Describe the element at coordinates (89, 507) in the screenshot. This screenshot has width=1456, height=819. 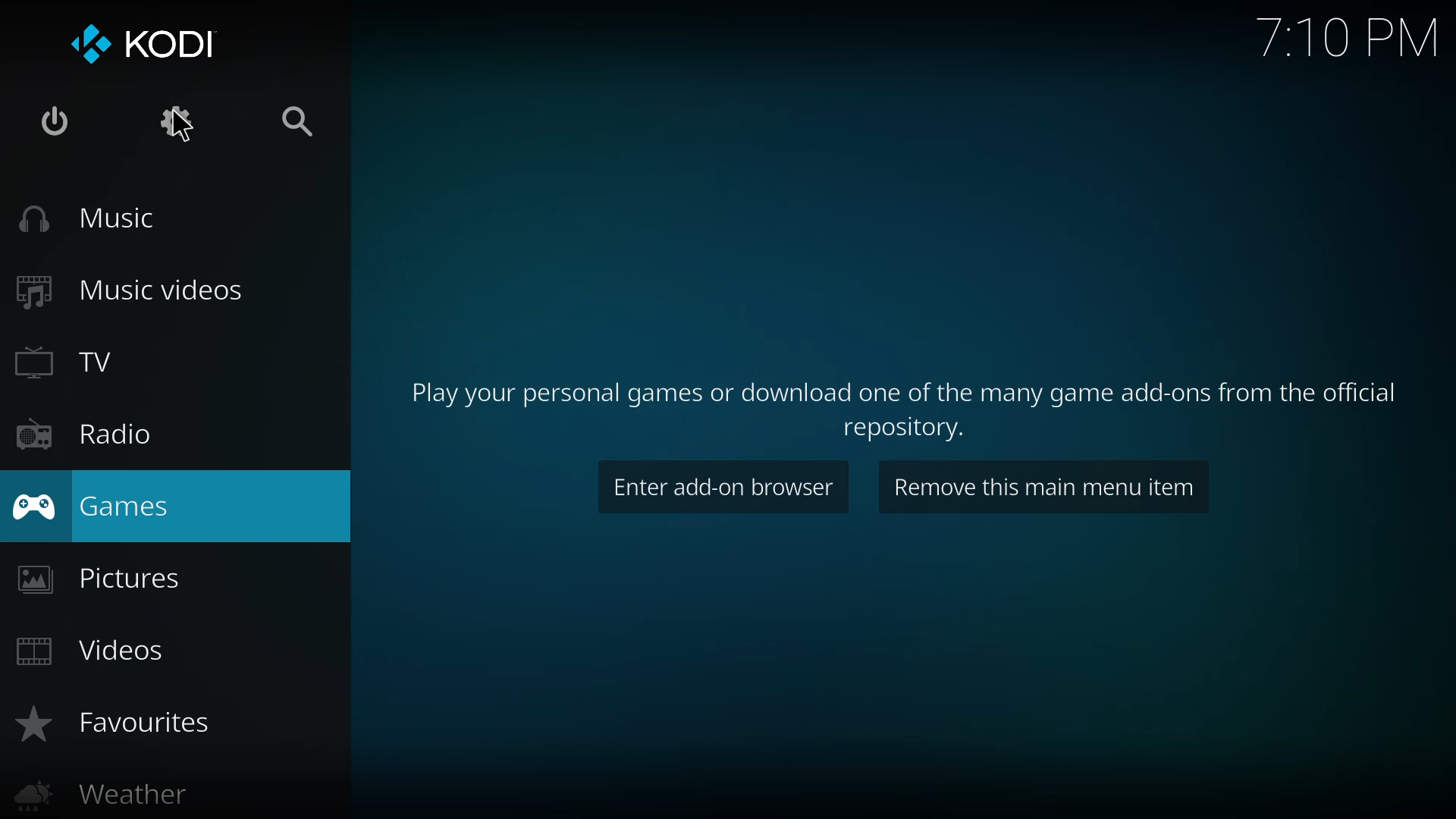
I see `games` at that location.